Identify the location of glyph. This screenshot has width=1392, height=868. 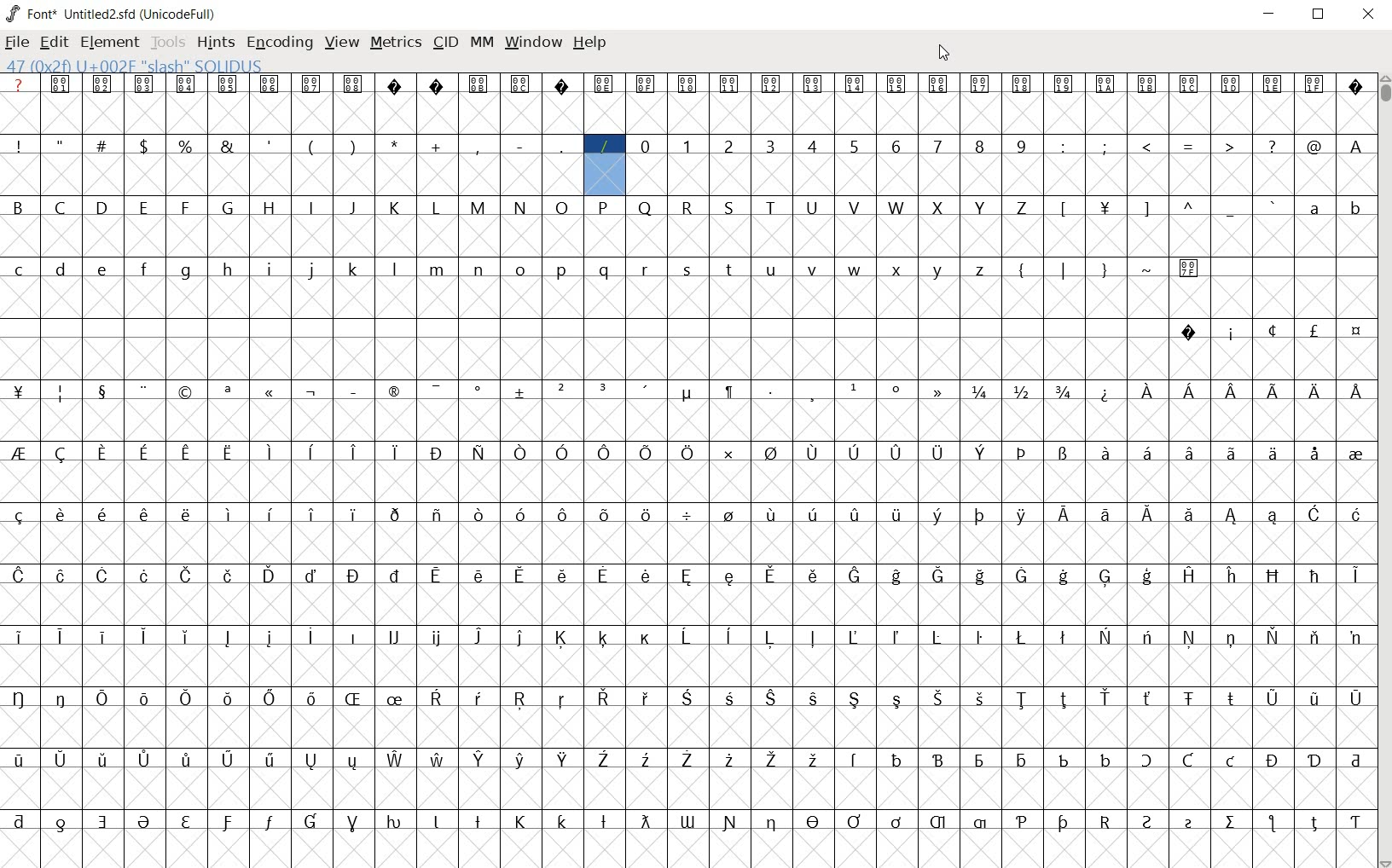
(310, 270).